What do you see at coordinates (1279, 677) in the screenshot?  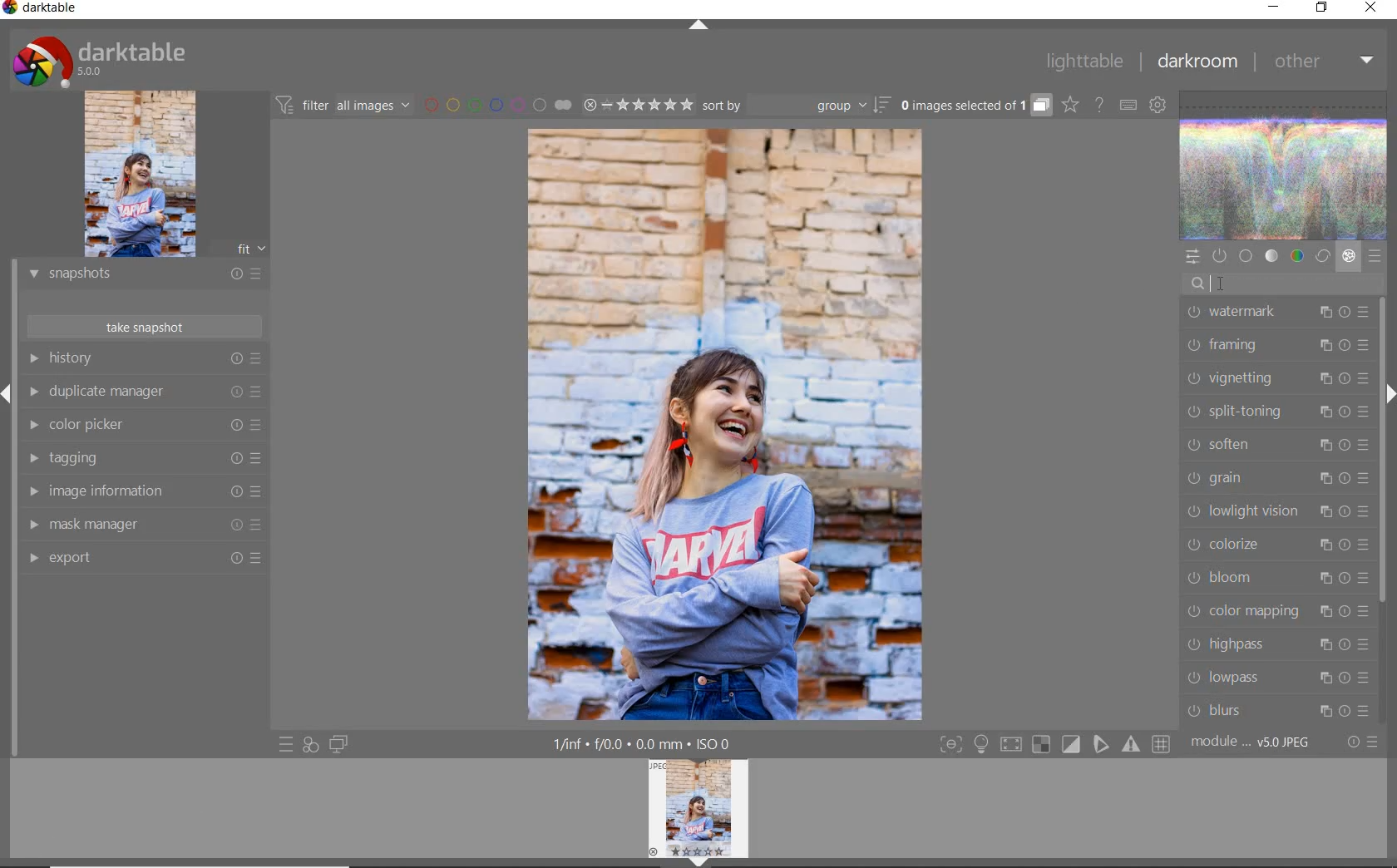 I see `lowpass` at bounding box center [1279, 677].